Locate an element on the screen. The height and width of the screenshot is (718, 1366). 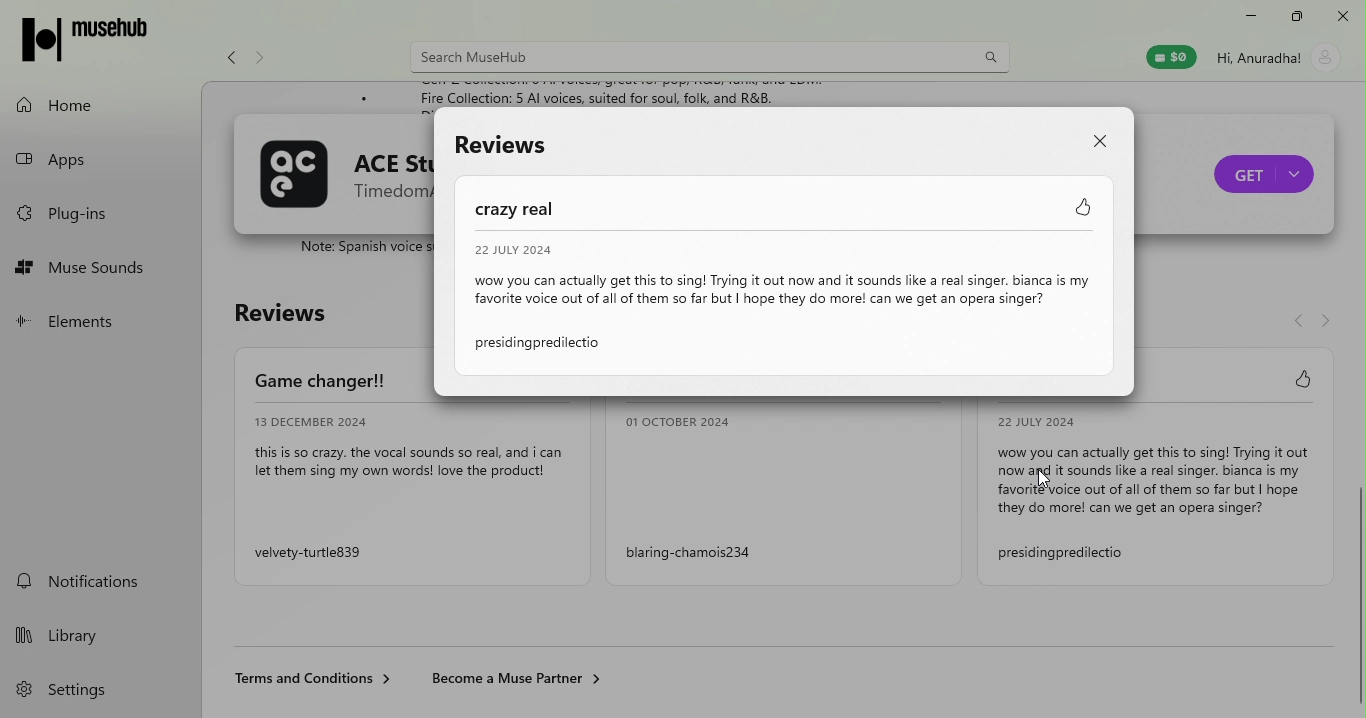
Become a muse partner is located at coordinates (520, 680).